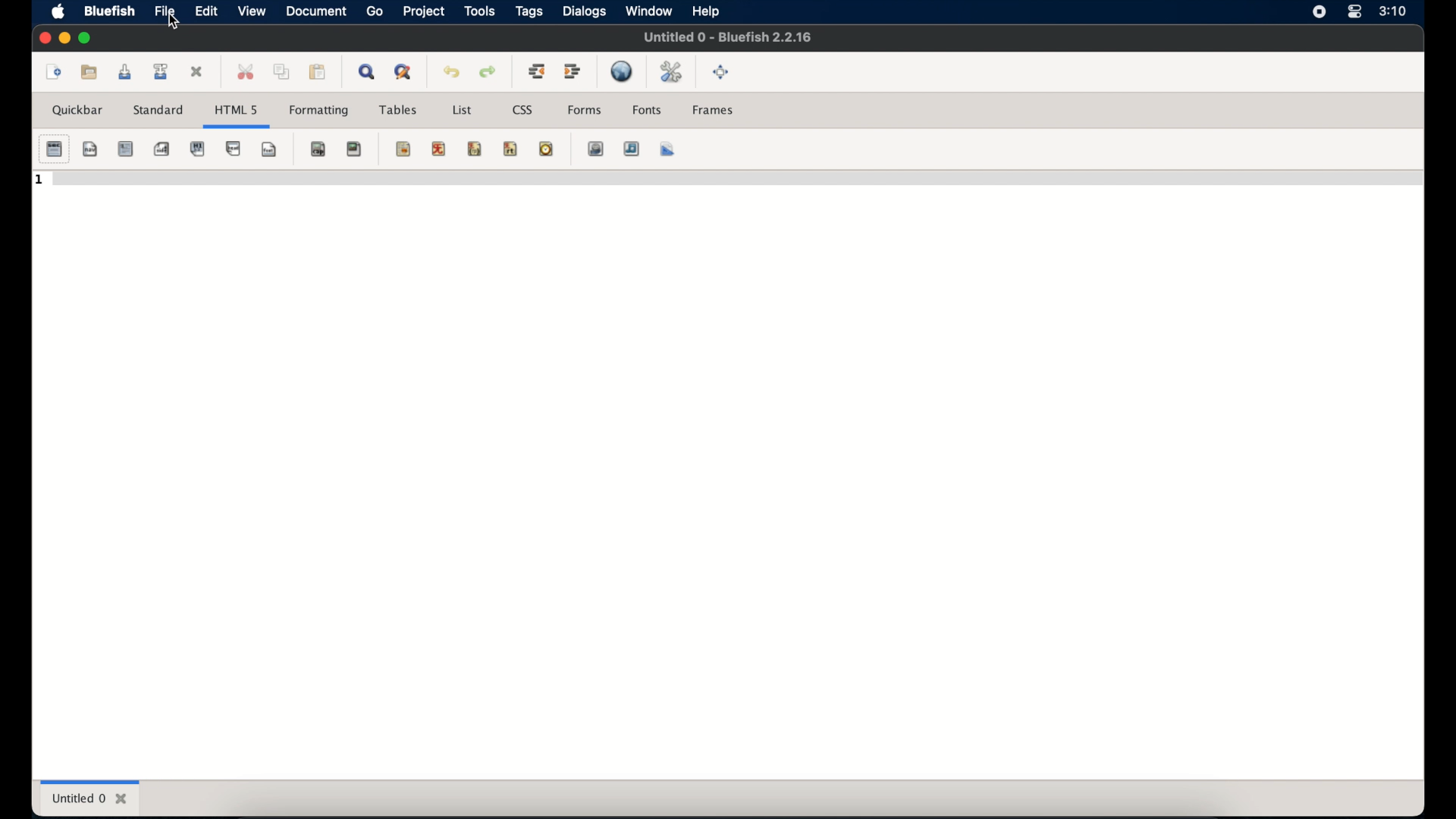  What do you see at coordinates (439, 149) in the screenshot?
I see `ruby` at bounding box center [439, 149].